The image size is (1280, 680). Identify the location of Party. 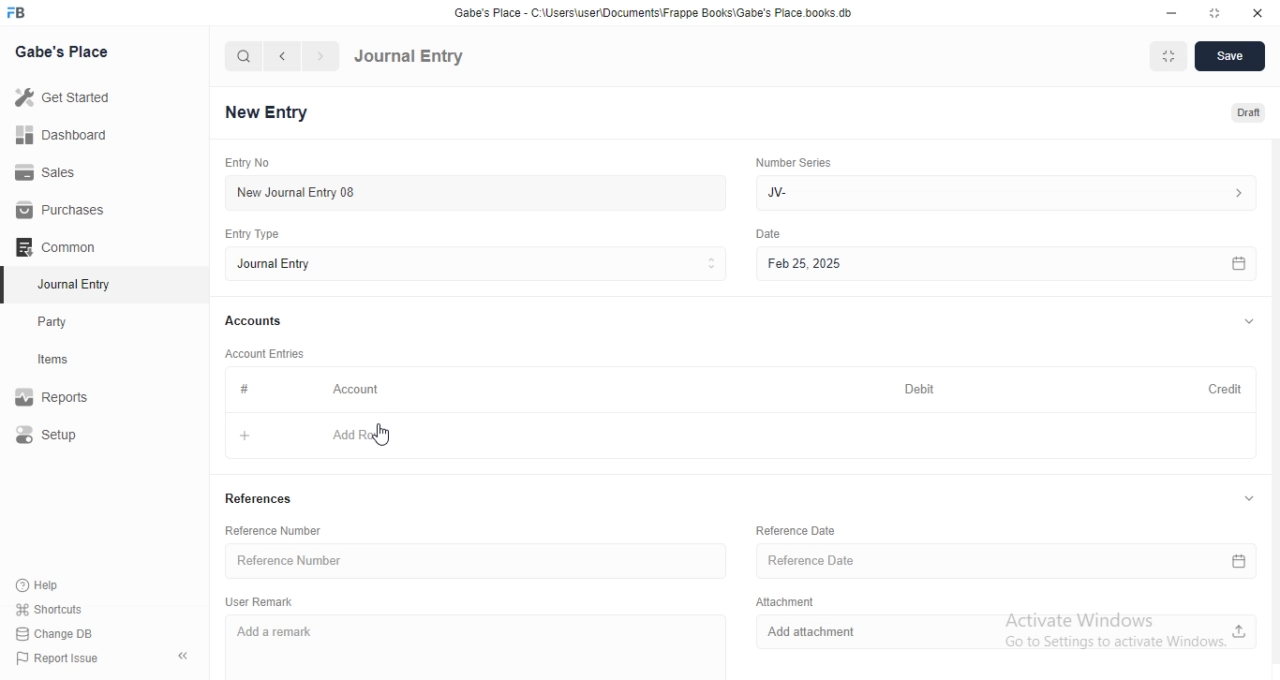
(72, 322).